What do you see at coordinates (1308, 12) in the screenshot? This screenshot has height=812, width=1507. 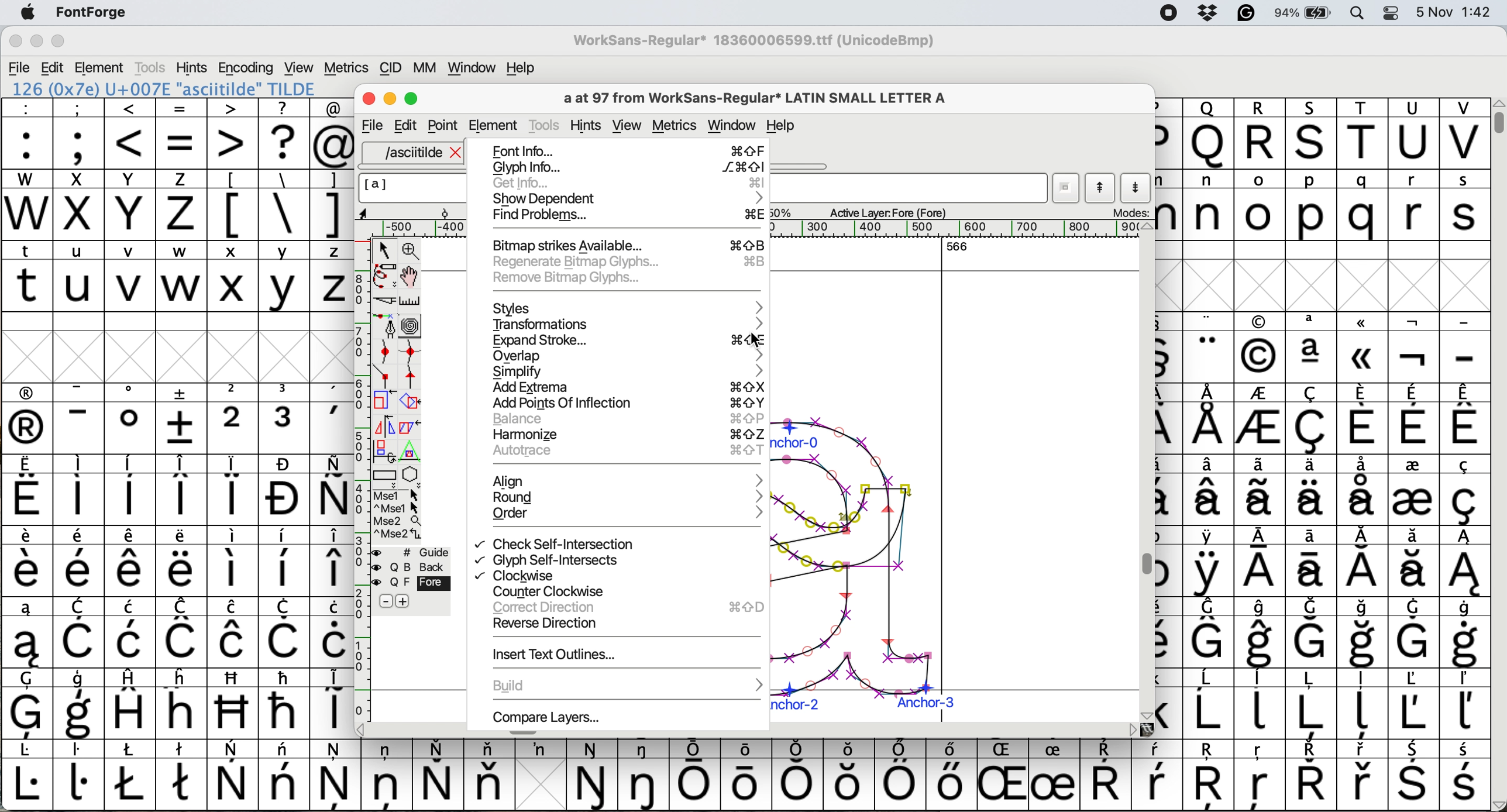 I see `battery` at bounding box center [1308, 12].